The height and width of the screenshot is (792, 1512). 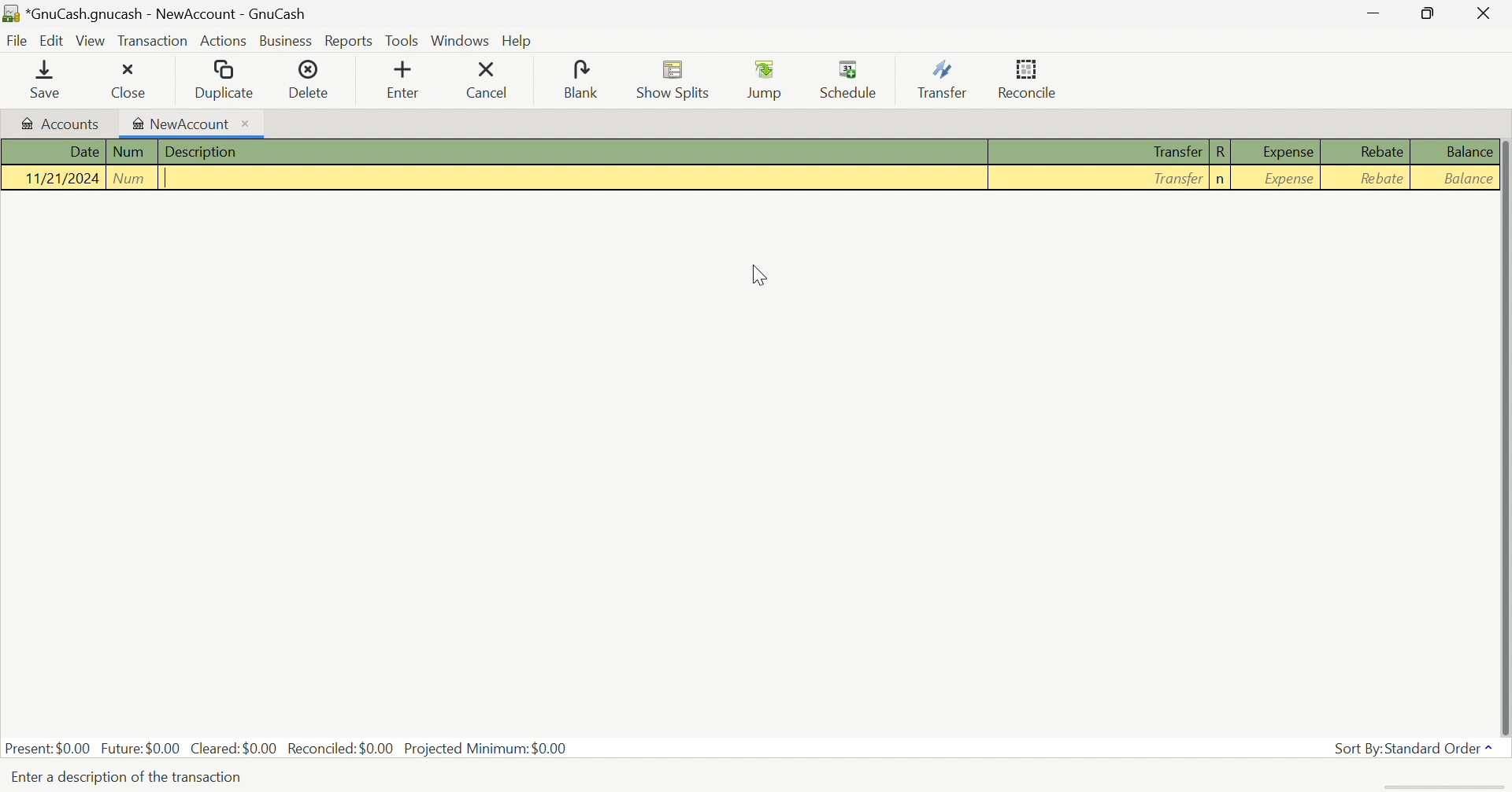 What do you see at coordinates (584, 80) in the screenshot?
I see `Blank` at bounding box center [584, 80].